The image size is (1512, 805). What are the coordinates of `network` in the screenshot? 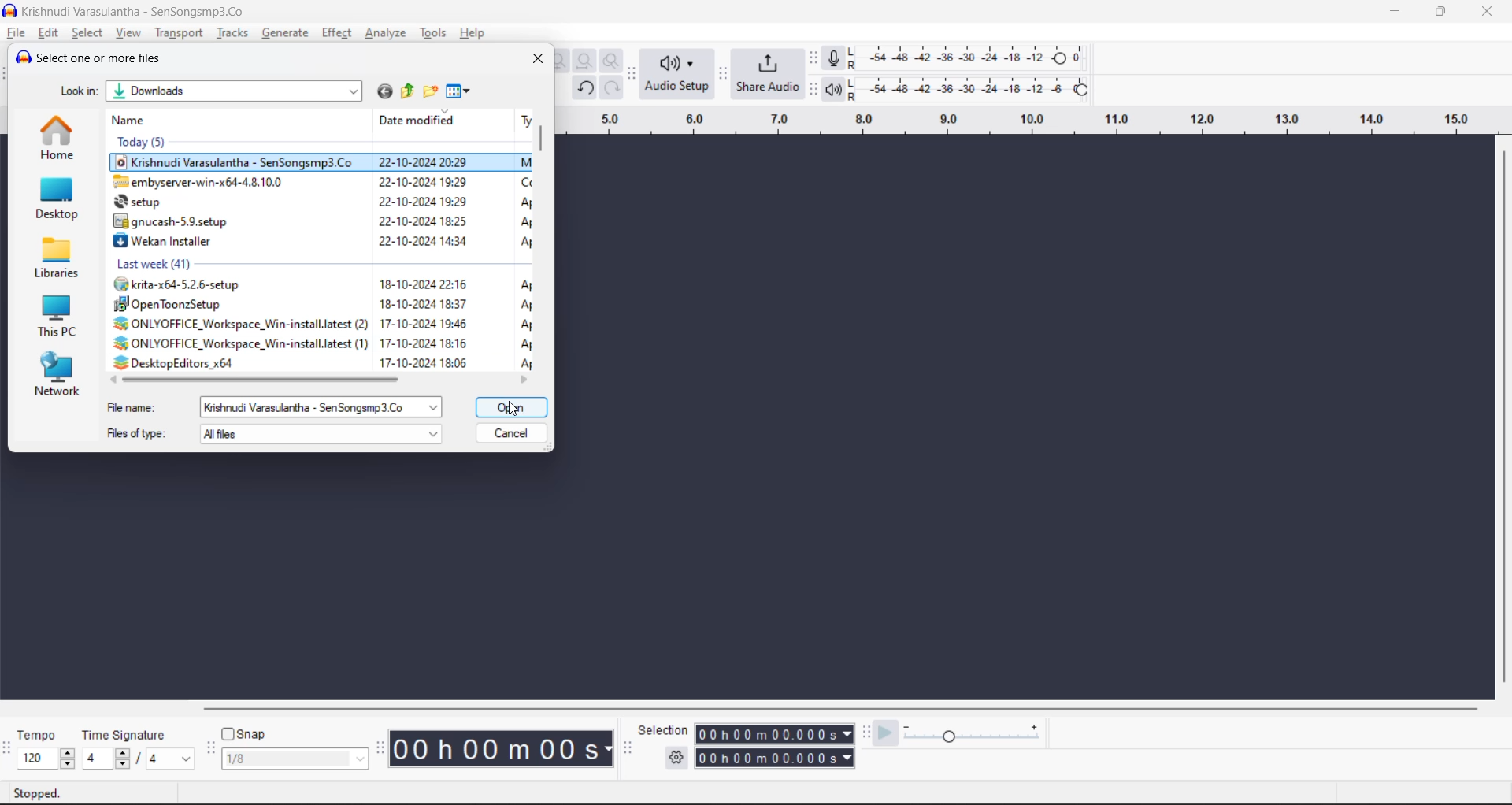 It's located at (63, 375).